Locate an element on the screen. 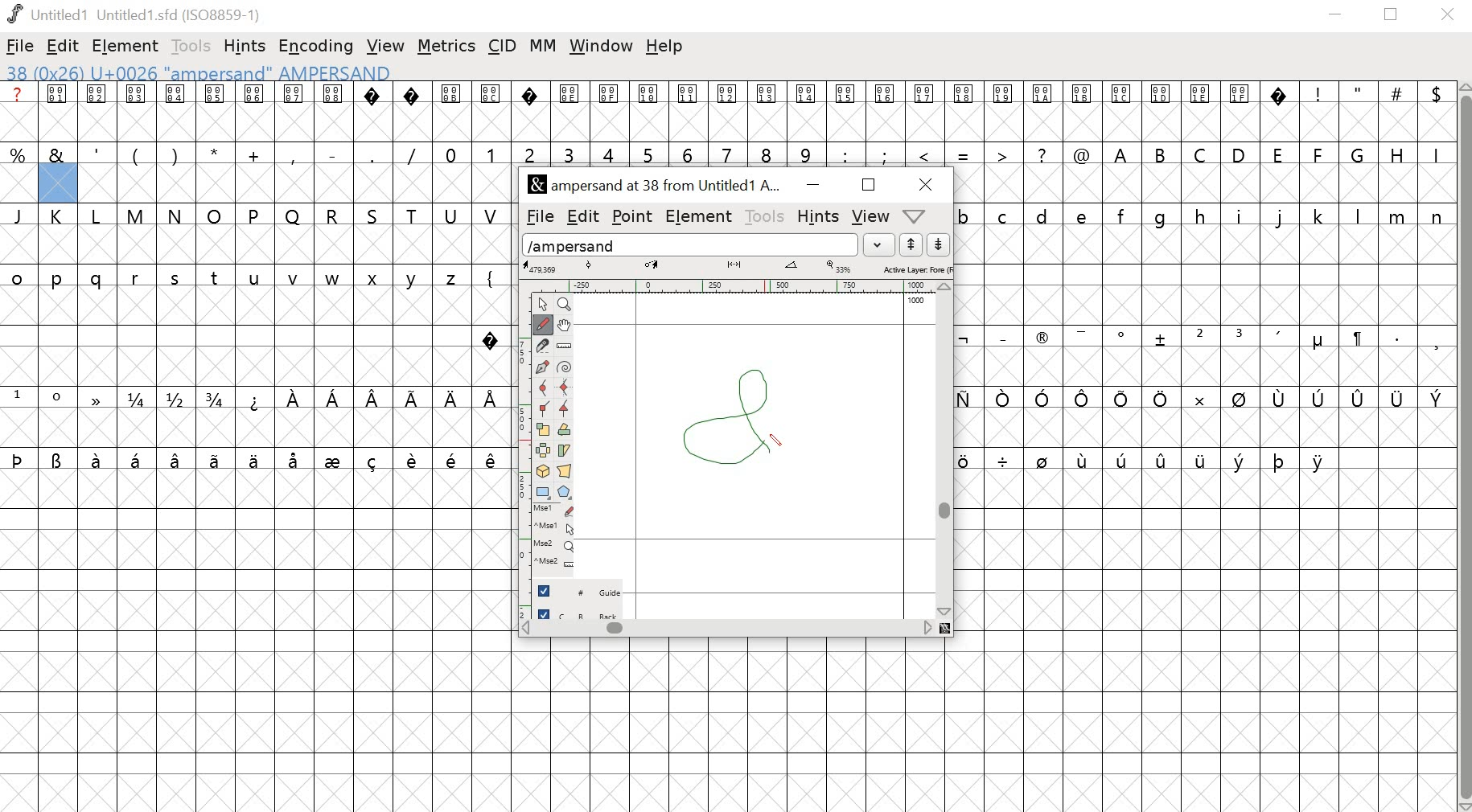  = is located at coordinates (964, 154).